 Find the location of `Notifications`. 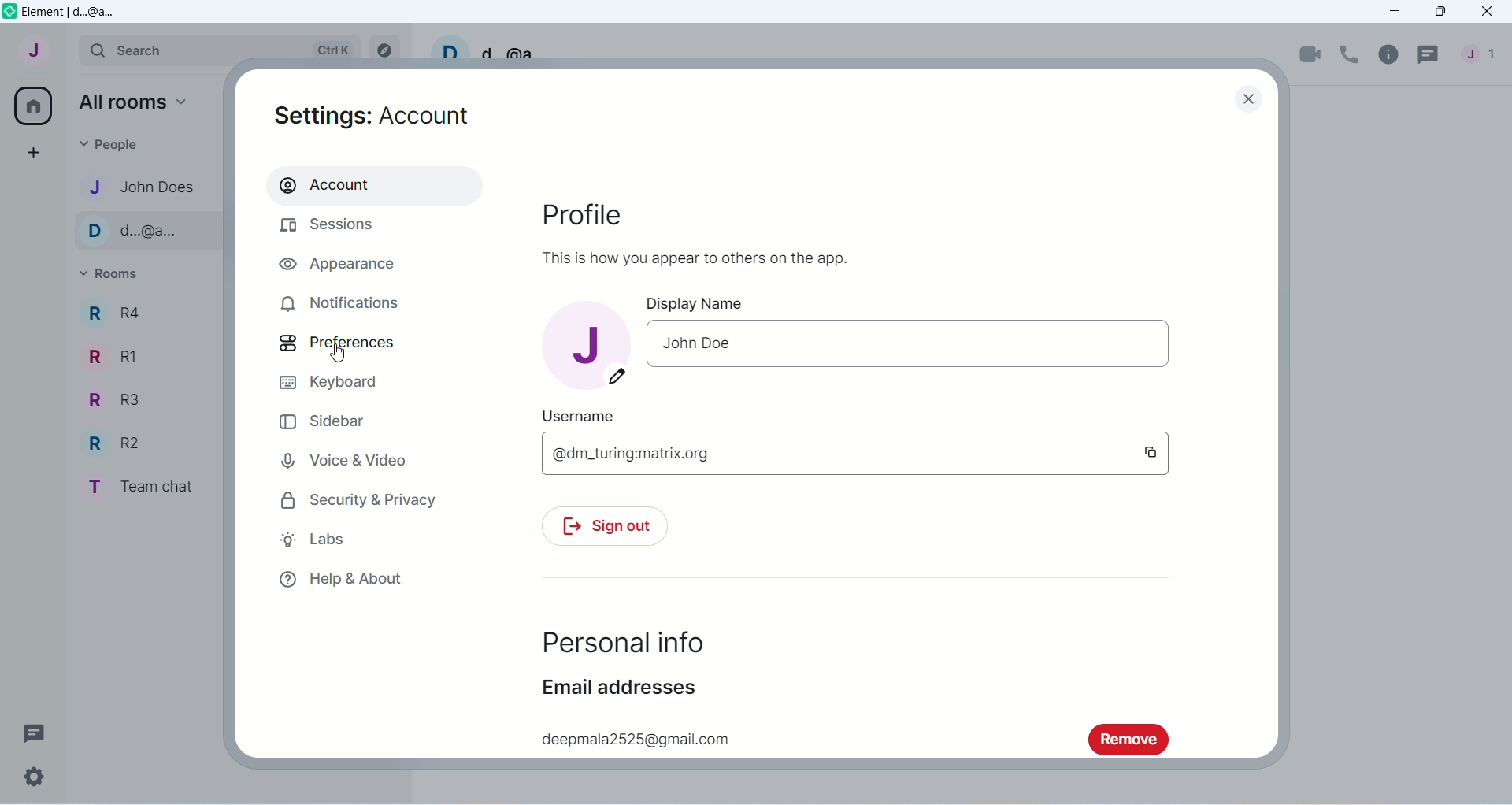

Notifications is located at coordinates (343, 303).